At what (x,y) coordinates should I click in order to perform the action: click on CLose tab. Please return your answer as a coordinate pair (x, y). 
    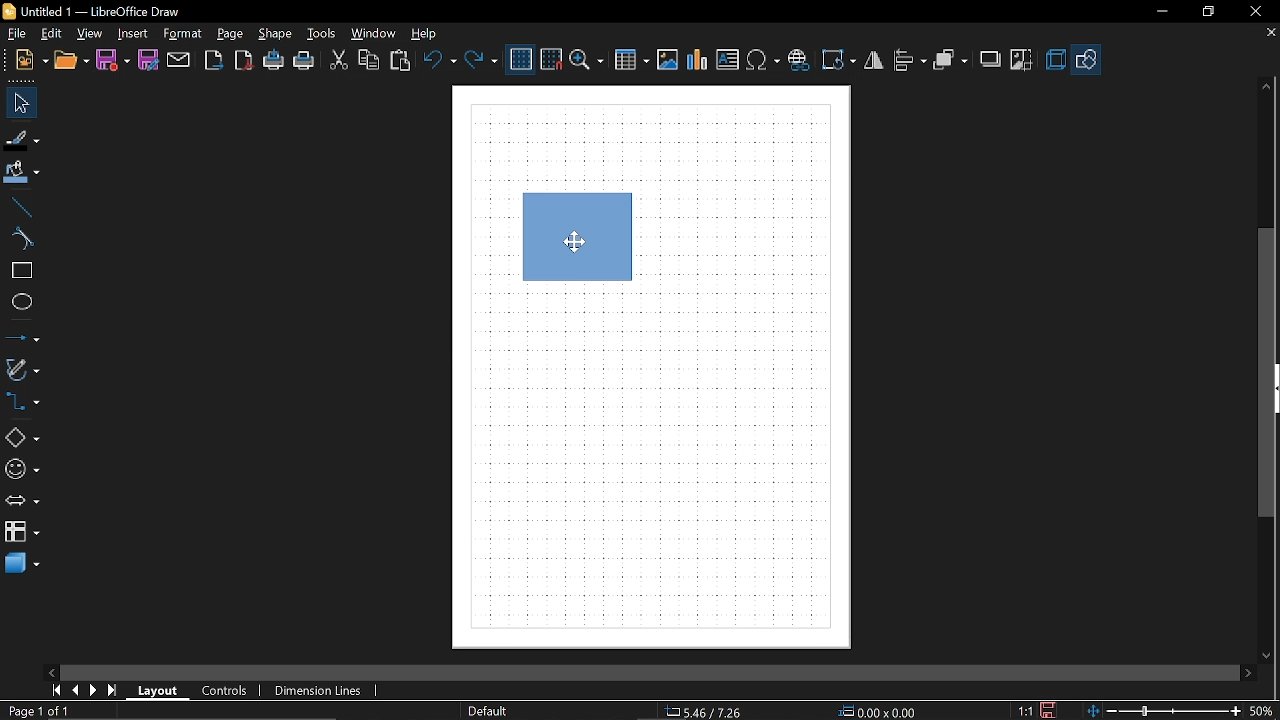
    Looking at the image, I should click on (1270, 33).